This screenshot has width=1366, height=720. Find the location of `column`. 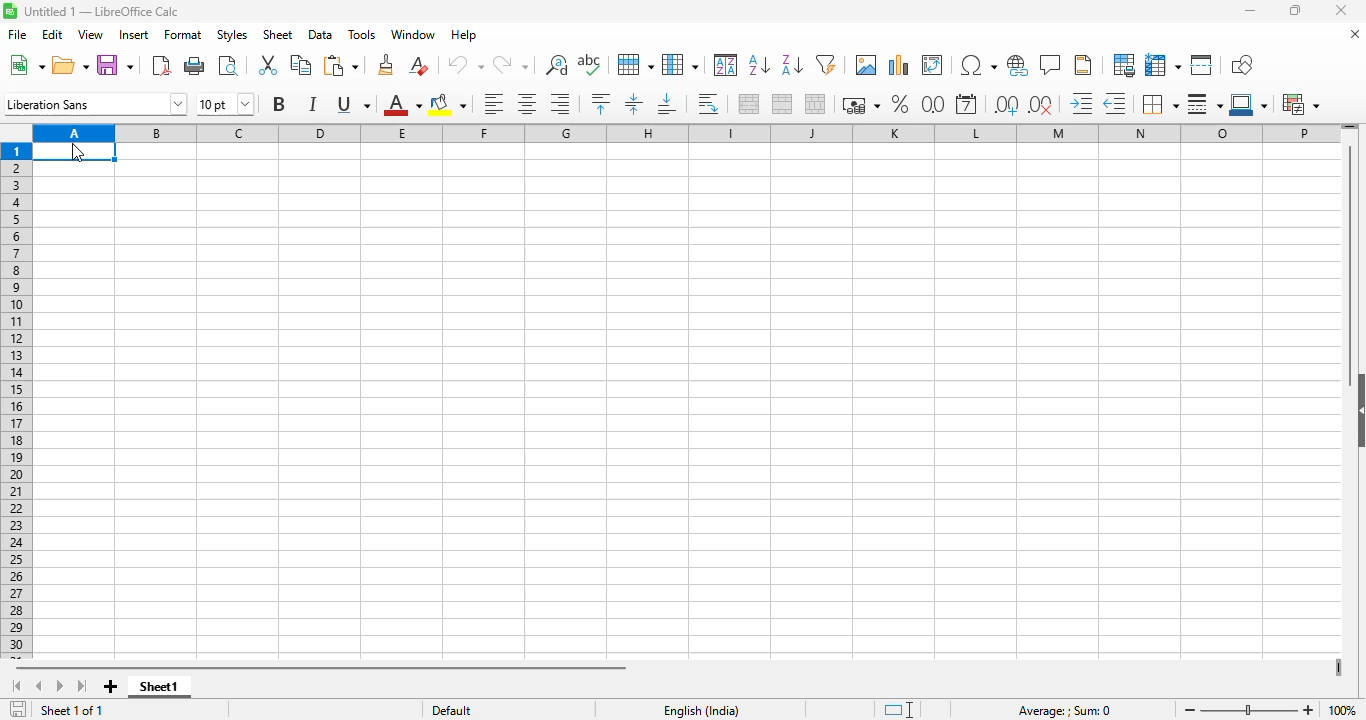

column is located at coordinates (680, 64).